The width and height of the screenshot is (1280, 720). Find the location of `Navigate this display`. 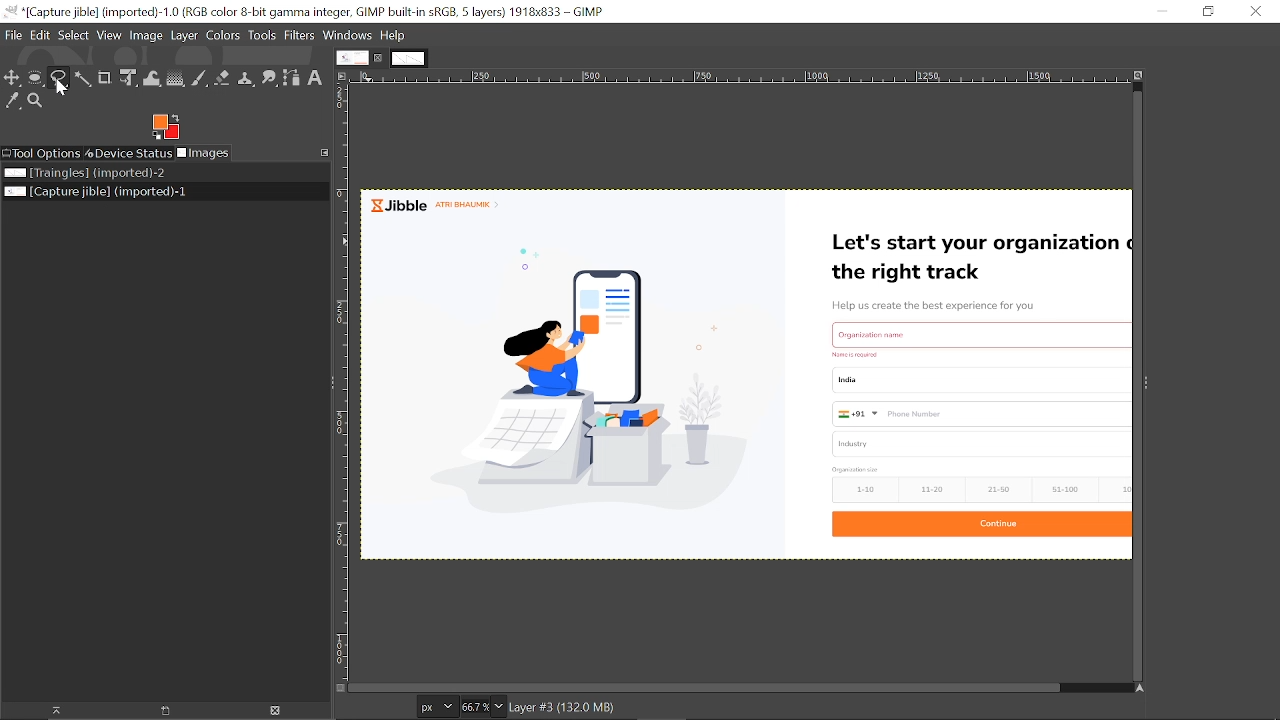

Navigate this display is located at coordinates (1141, 688).